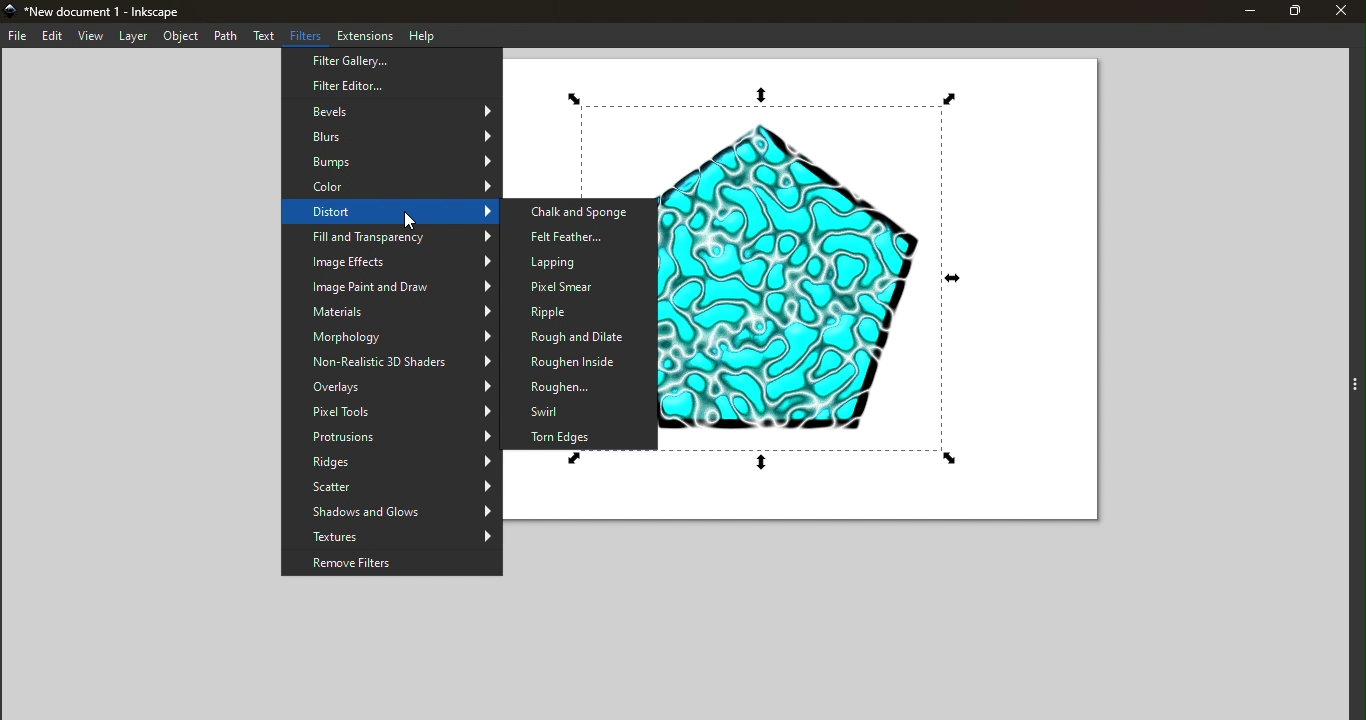 Image resolution: width=1366 pixels, height=720 pixels. What do you see at coordinates (390, 388) in the screenshot?
I see `Overlays` at bounding box center [390, 388].